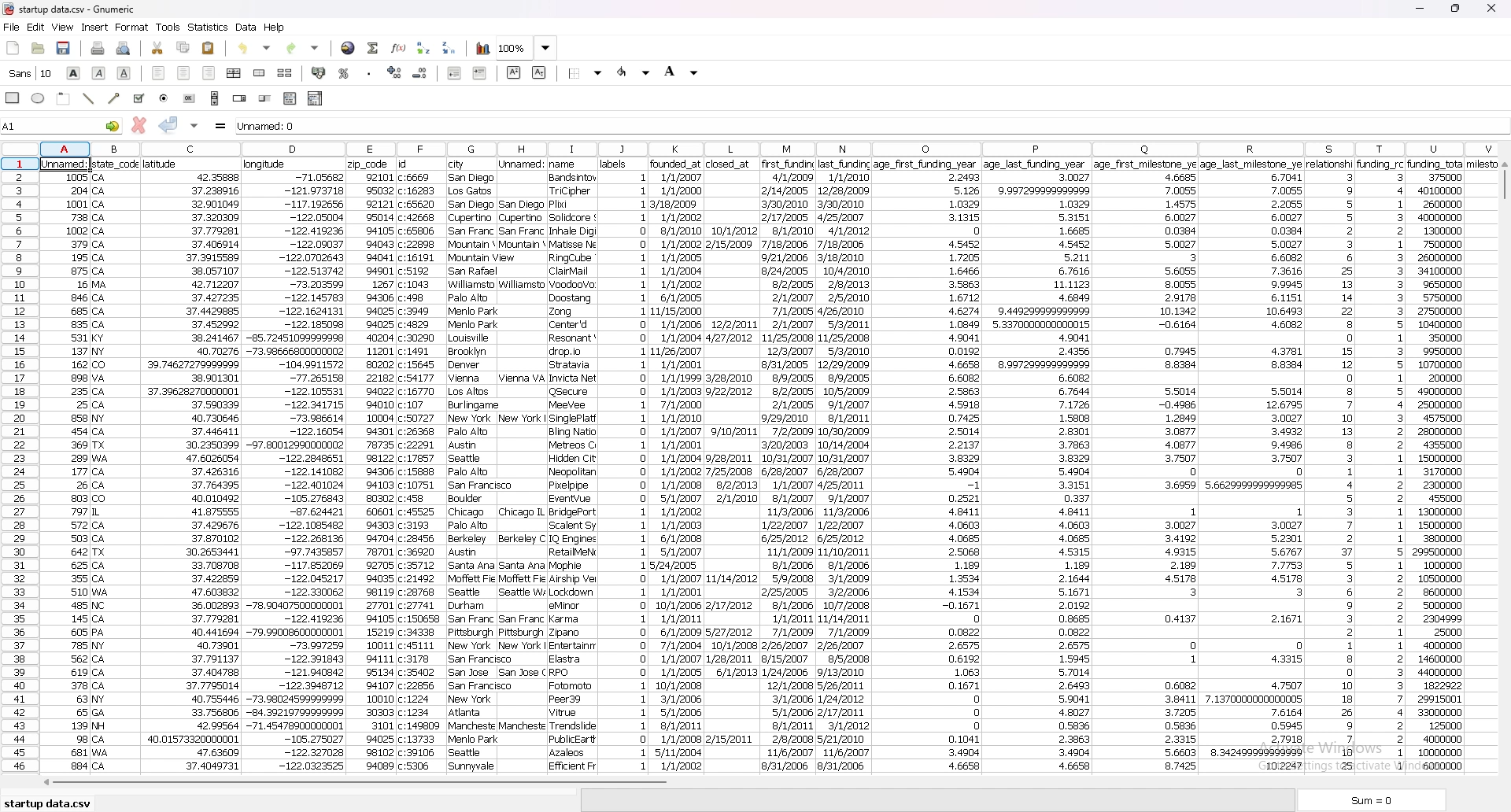 The height and width of the screenshot is (812, 1511). Describe the element at coordinates (514, 72) in the screenshot. I see `superscript` at that location.